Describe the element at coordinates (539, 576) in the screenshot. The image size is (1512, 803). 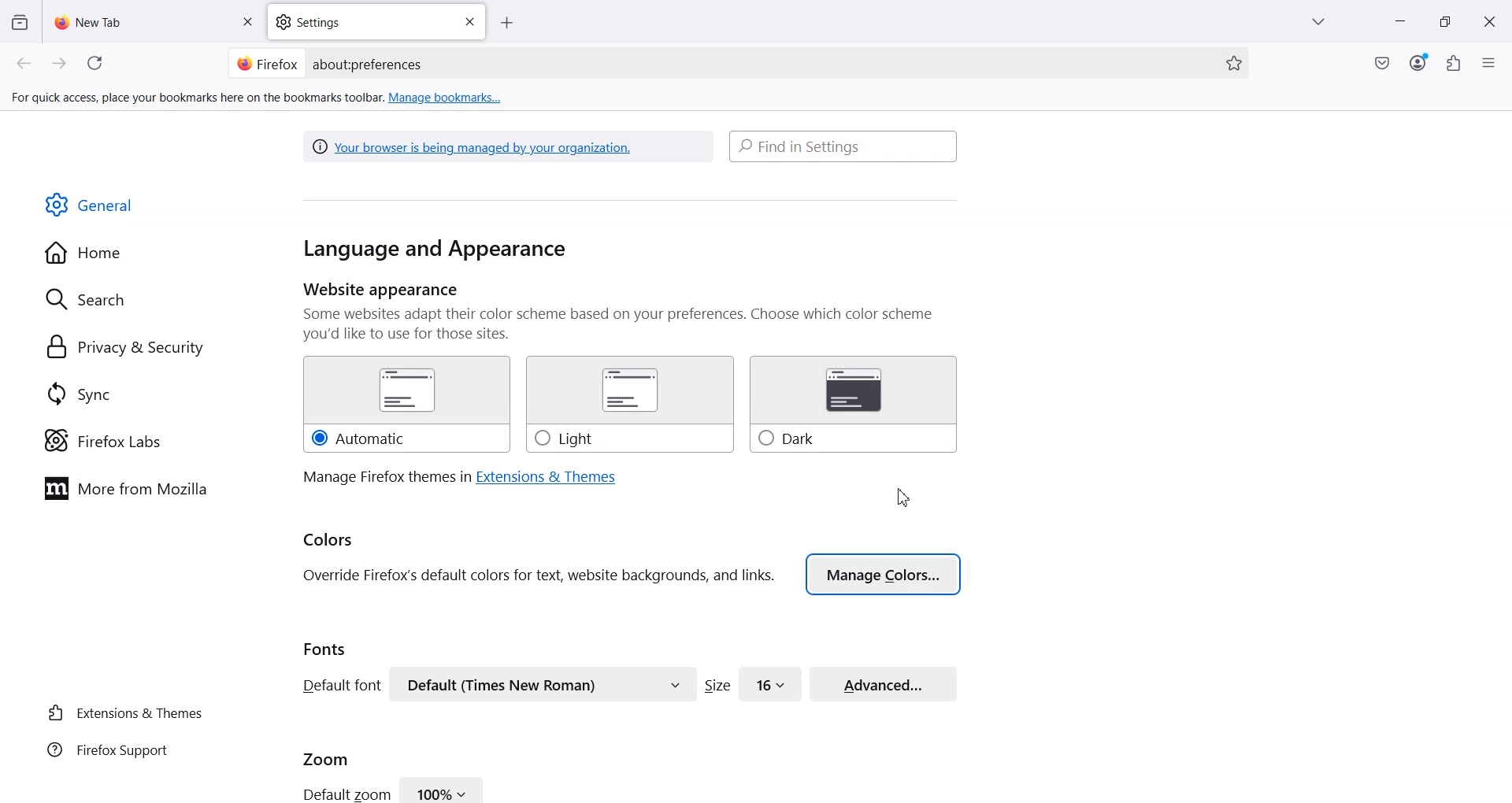
I see `Override Firefox's default colors for text, website backgrounds, and links.` at that location.